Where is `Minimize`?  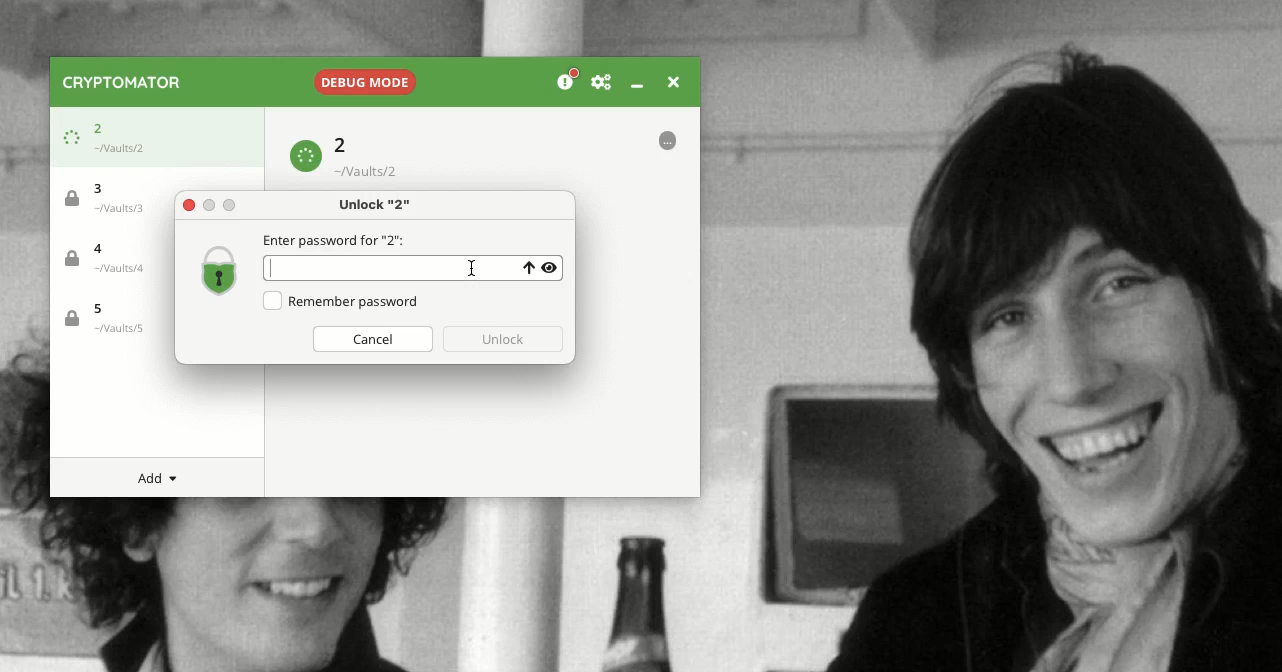 Minimize is located at coordinates (636, 85).